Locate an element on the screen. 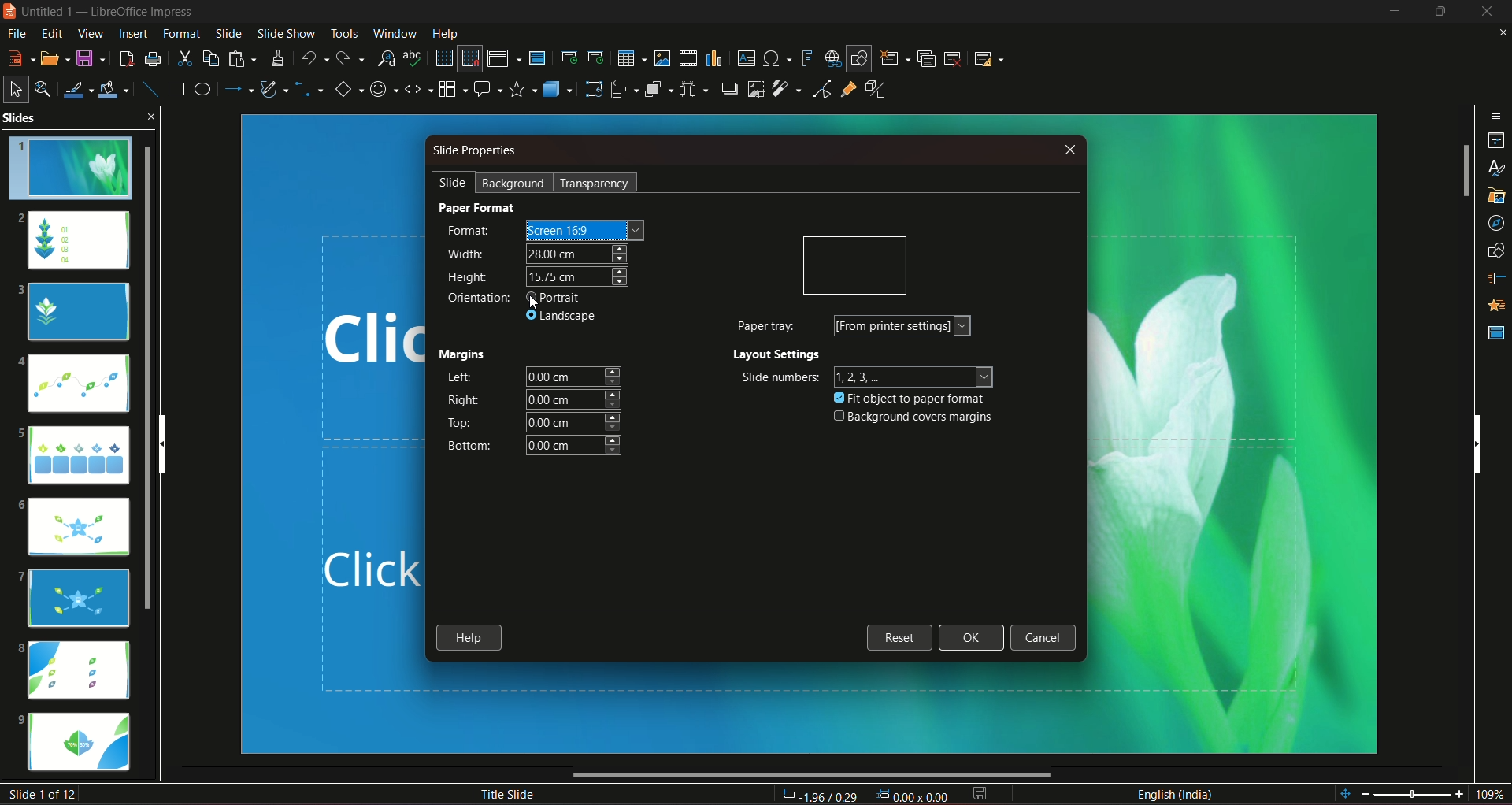 The width and height of the screenshot is (1512, 805). screen size is located at coordinates (584, 230).